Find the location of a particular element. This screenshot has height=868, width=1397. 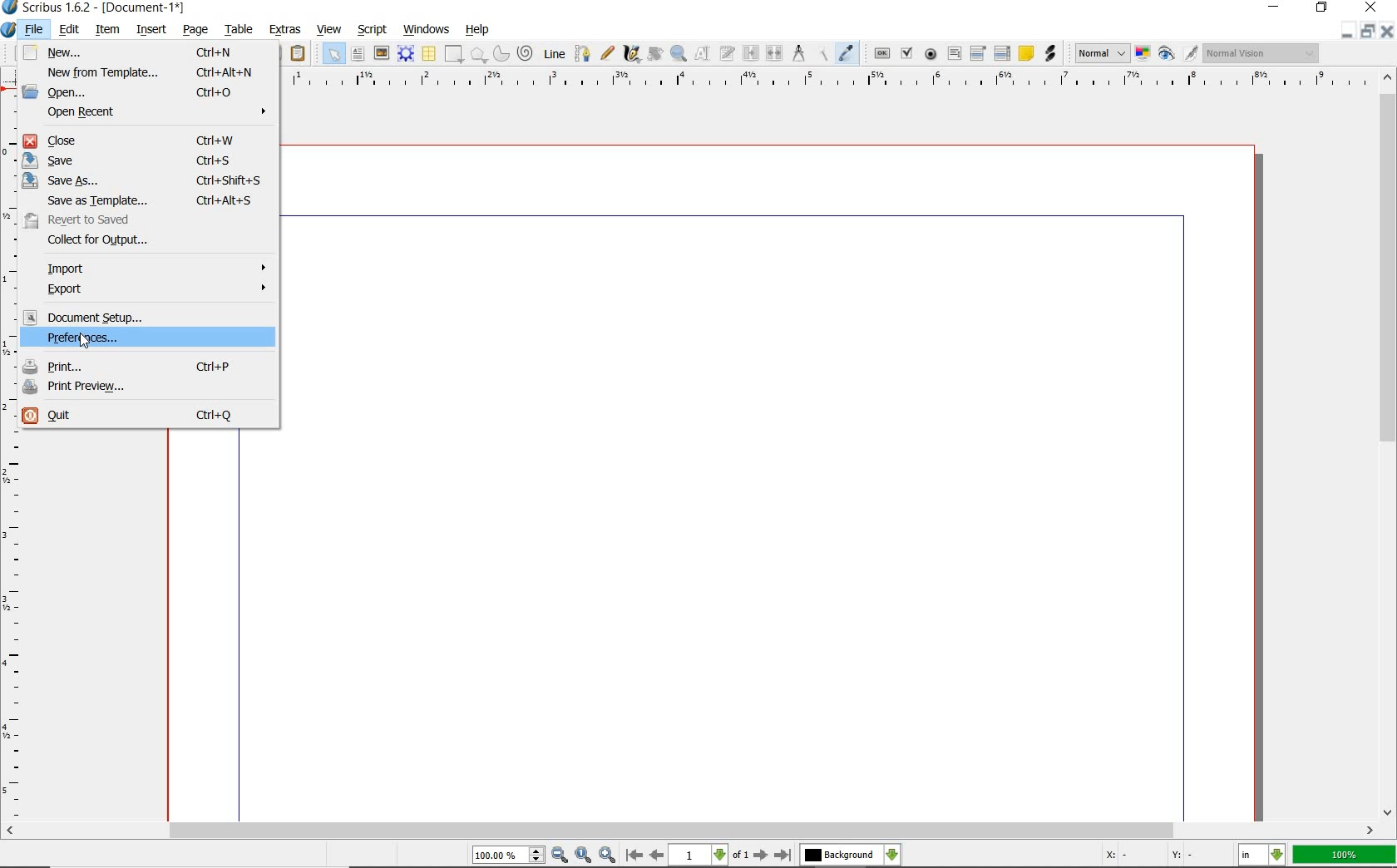

select is located at coordinates (335, 57).